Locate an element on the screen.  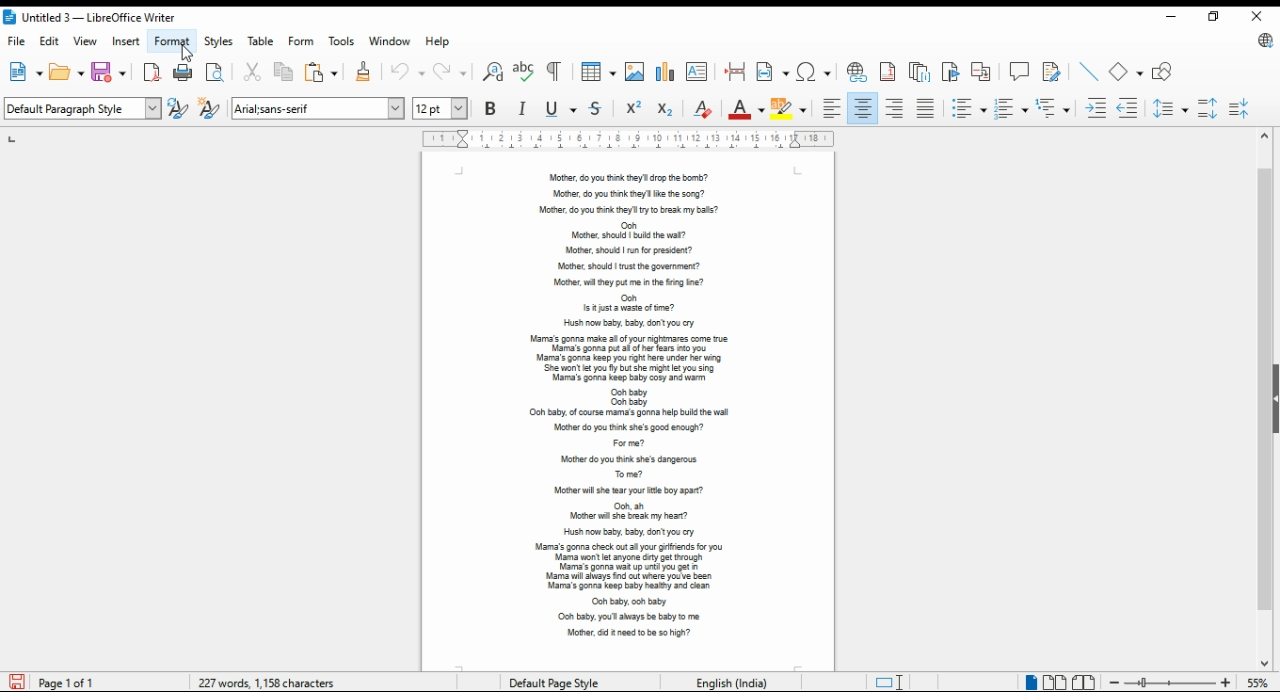
italics is located at coordinates (523, 108).